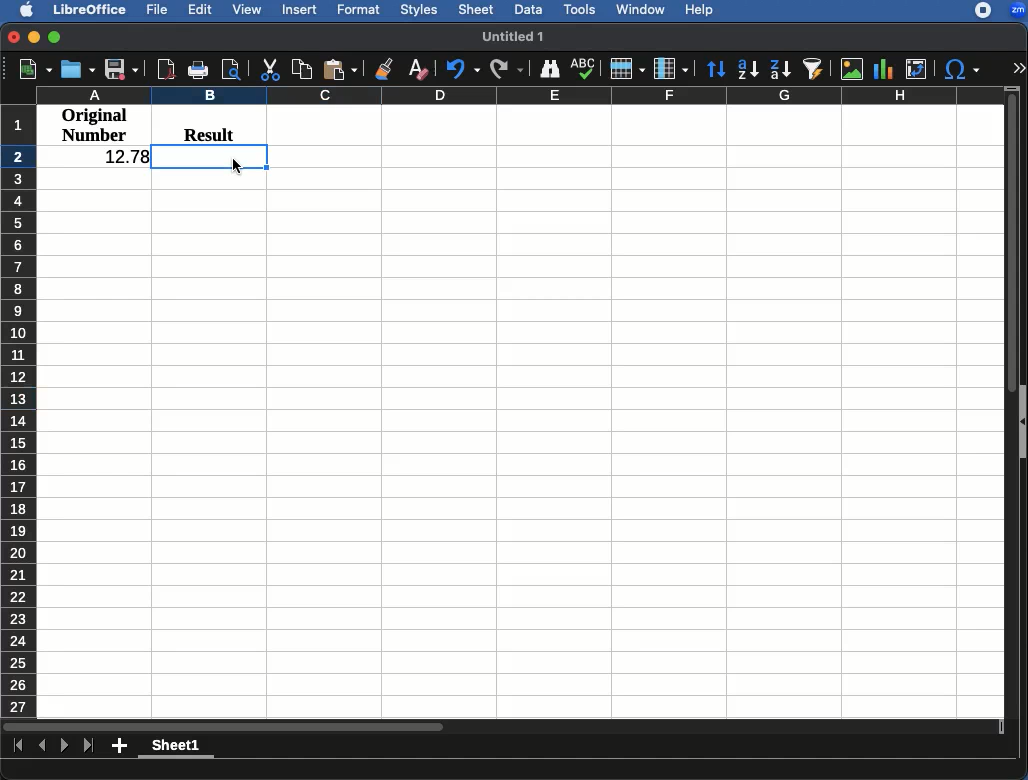 The image size is (1028, 780). I want to click on Cut, so click(267, 69).